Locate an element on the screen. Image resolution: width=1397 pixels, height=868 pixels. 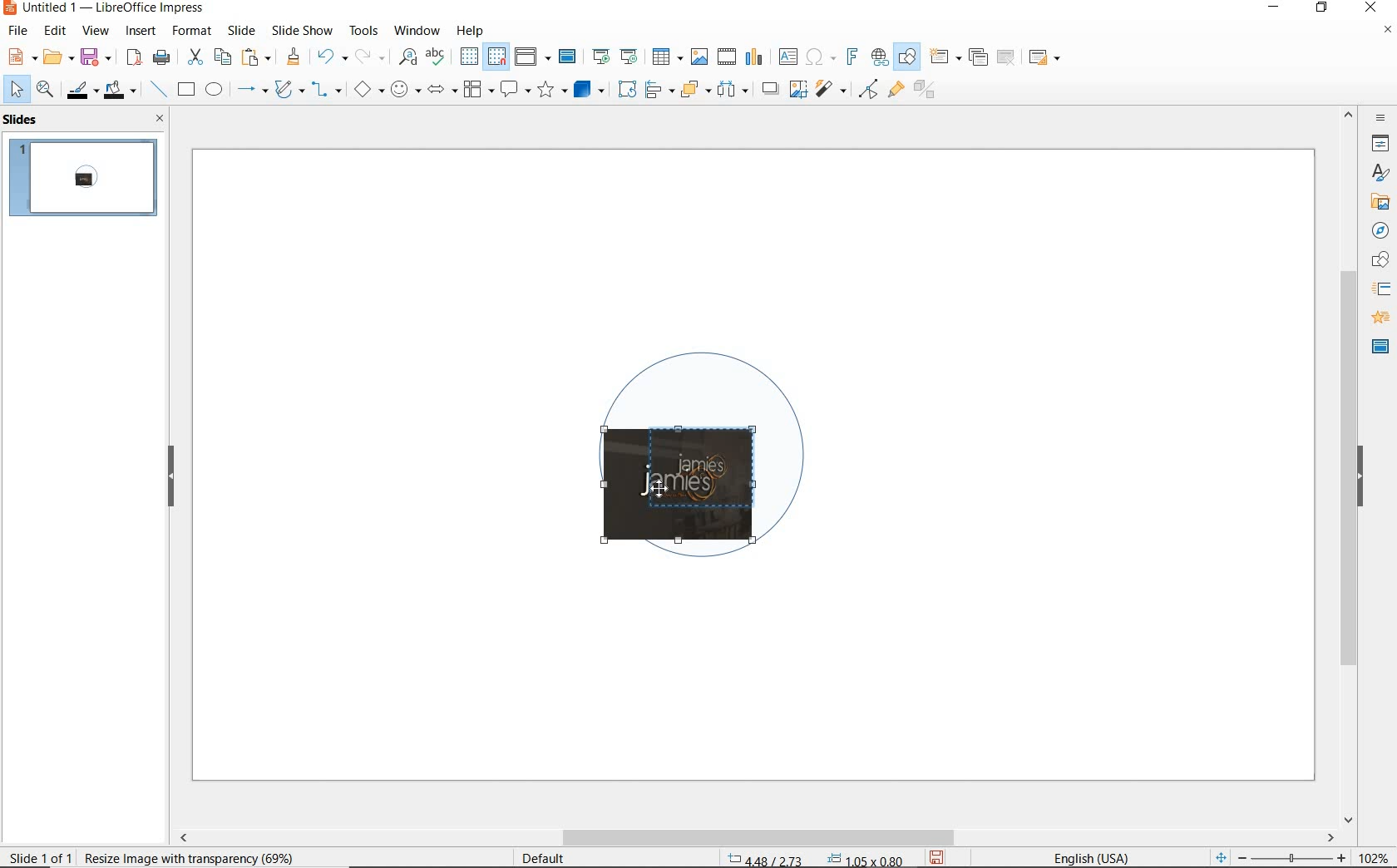
slide show is located at coordinates (301, 30).